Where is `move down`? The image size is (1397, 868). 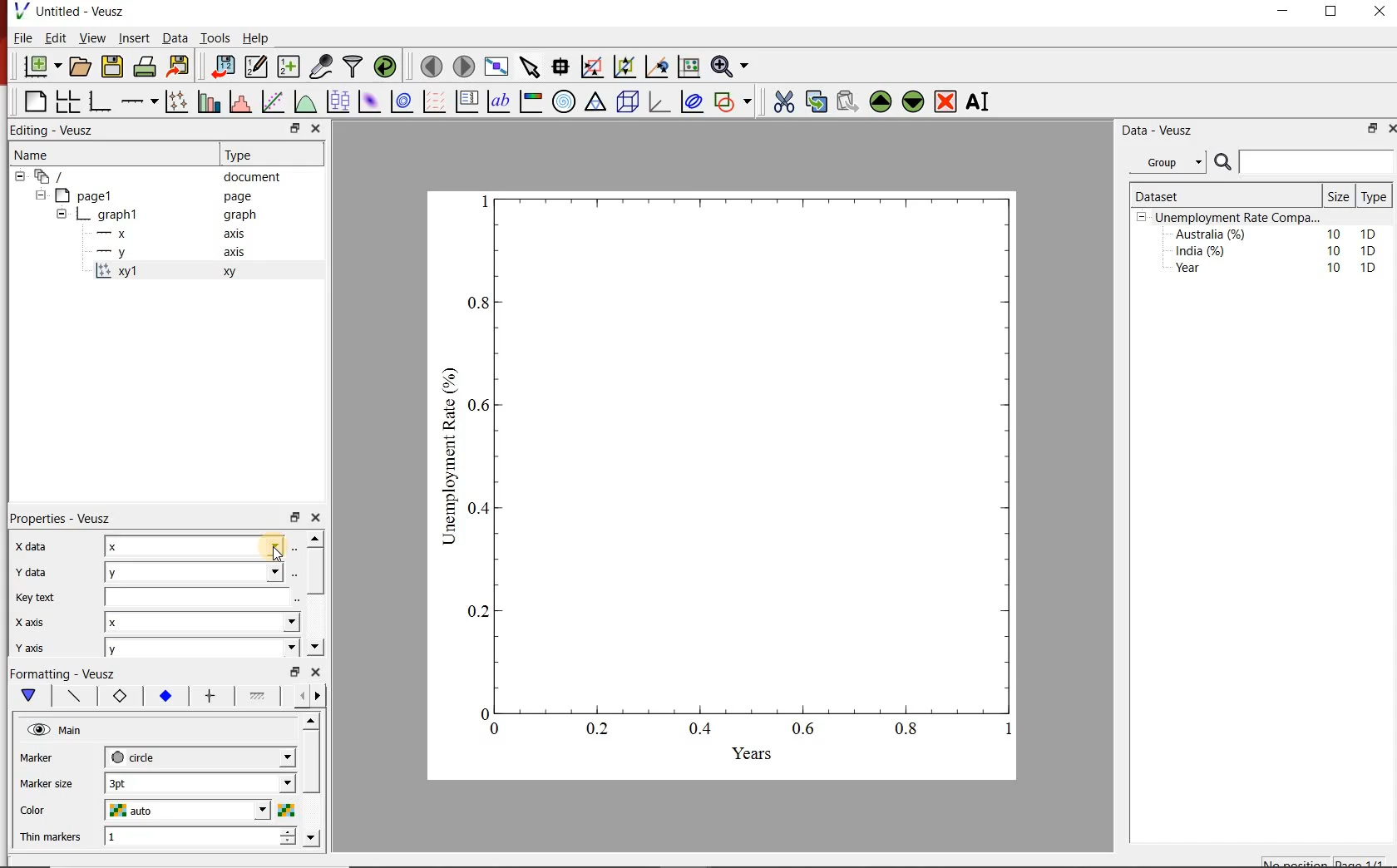 move down is located at coordinates (314, 646).